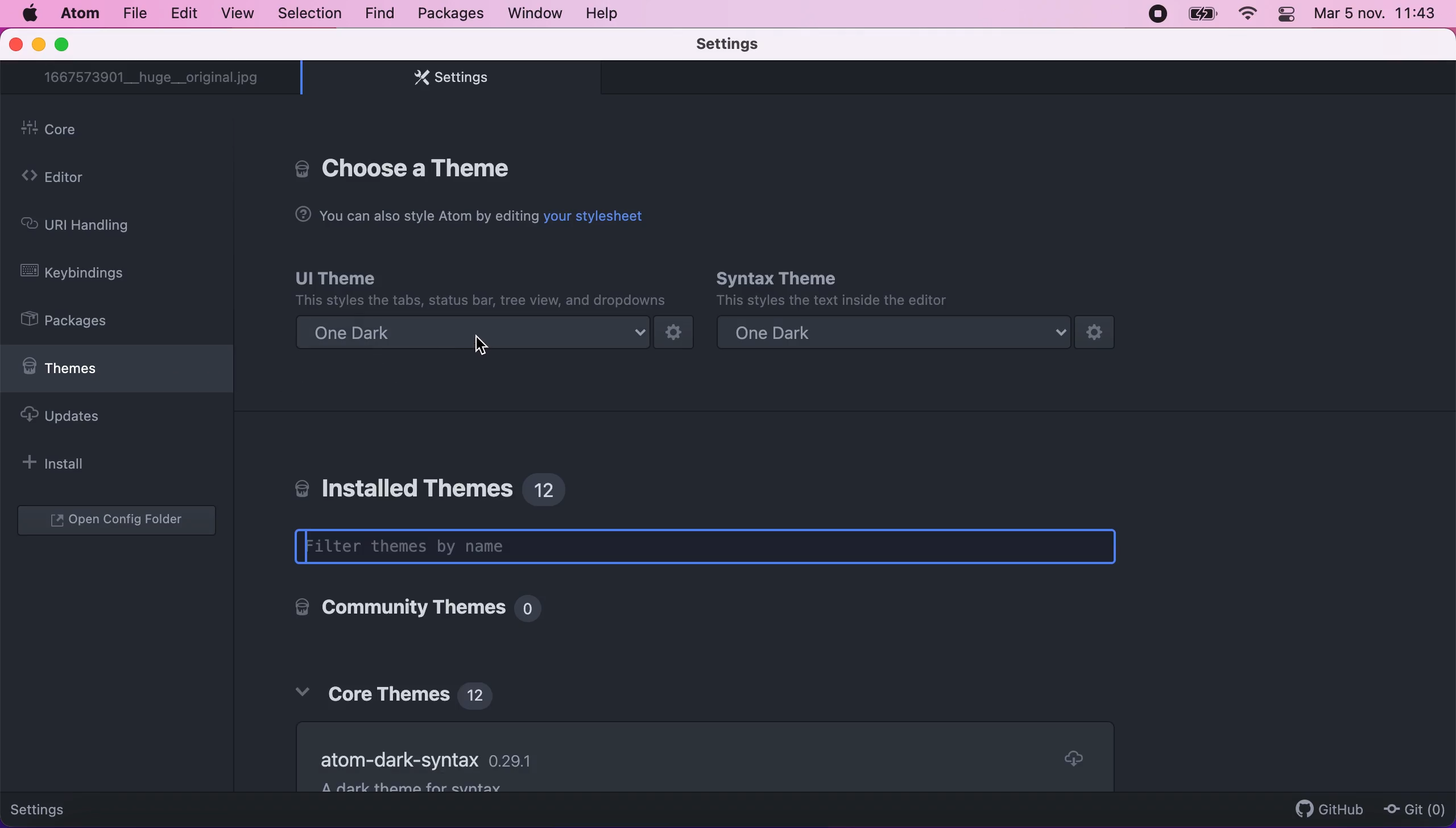 Image resolution: width=1456 pixels, height=828 pixels. I want to click on installed themes, so click(439, 485).